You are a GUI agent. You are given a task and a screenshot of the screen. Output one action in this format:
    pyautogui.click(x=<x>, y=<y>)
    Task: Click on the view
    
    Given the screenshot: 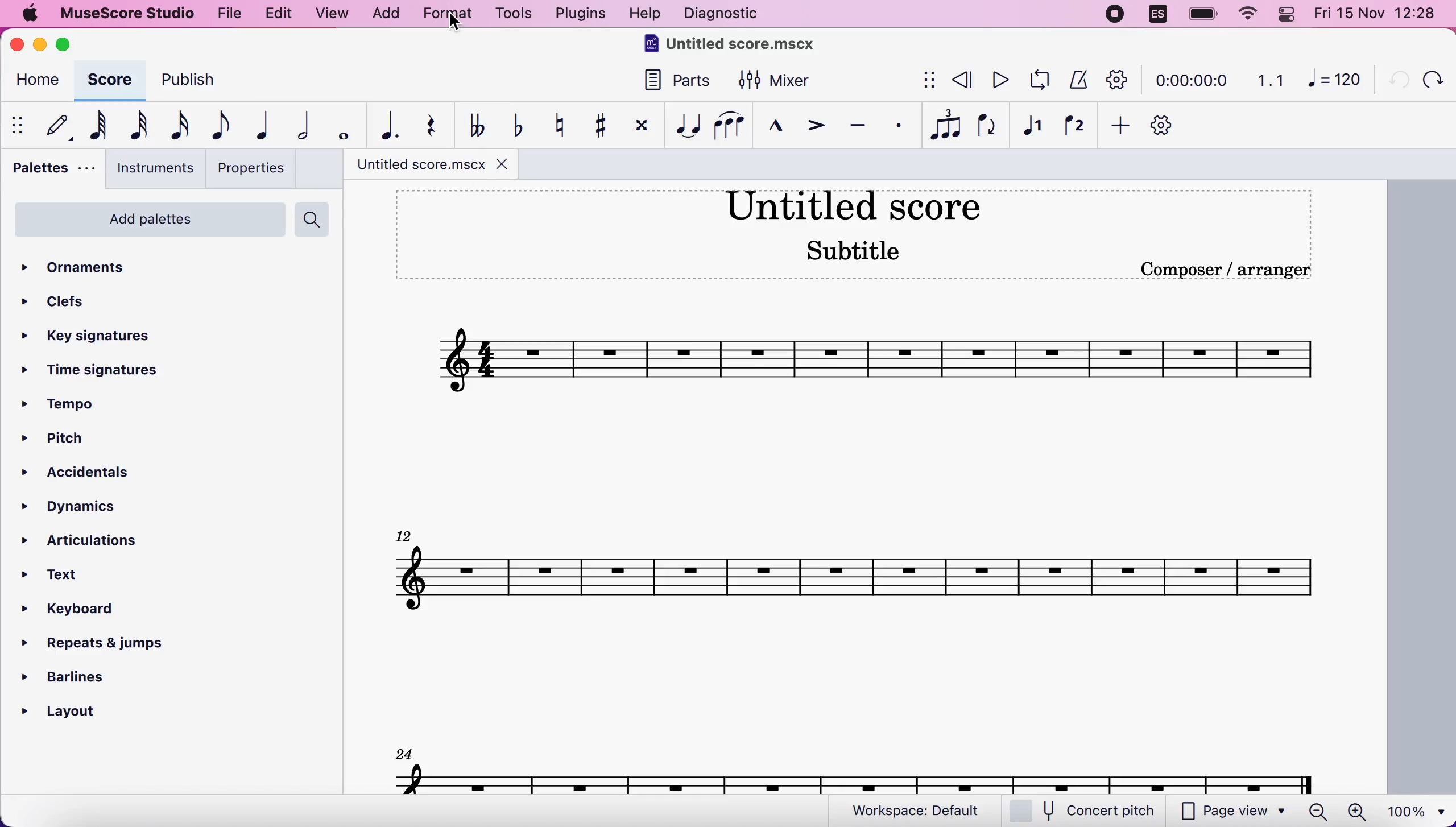 What is the action you would take?
    pyautogui.click(x=333, y=15)
    